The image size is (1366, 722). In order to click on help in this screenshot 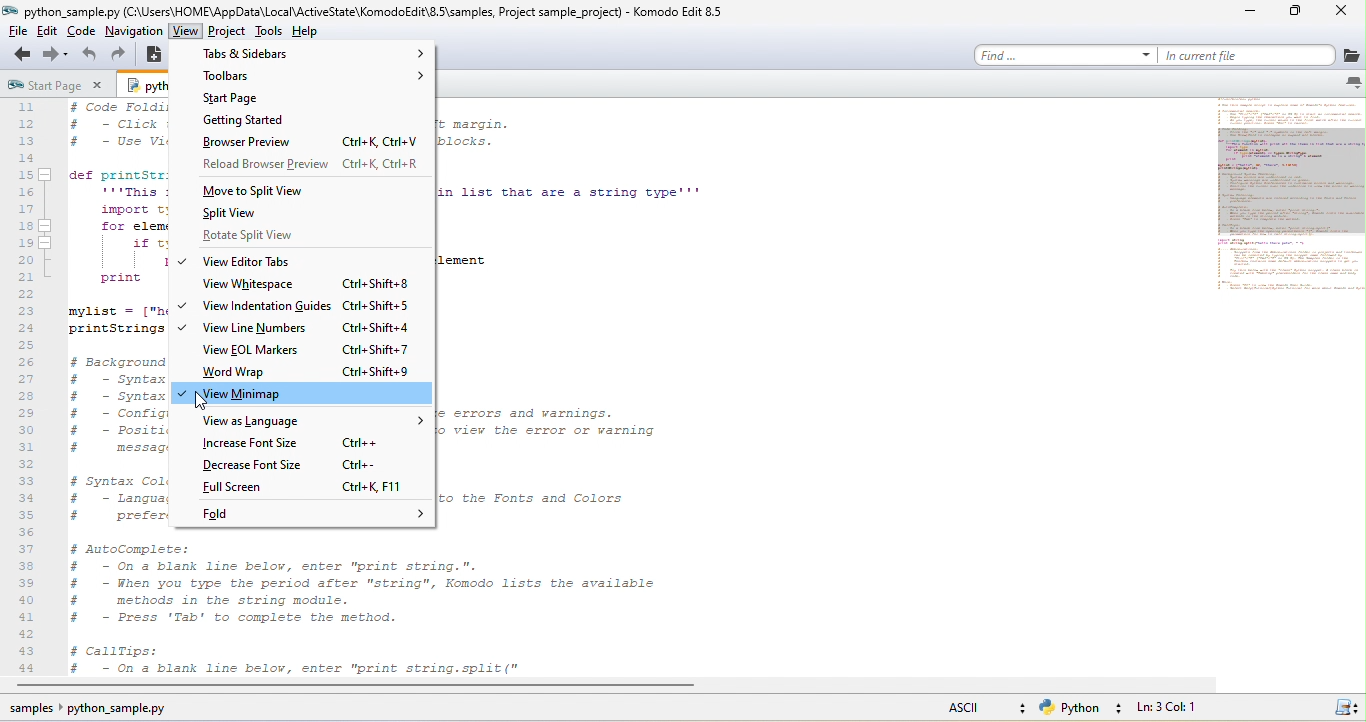, I will do `click(309, 32)`.